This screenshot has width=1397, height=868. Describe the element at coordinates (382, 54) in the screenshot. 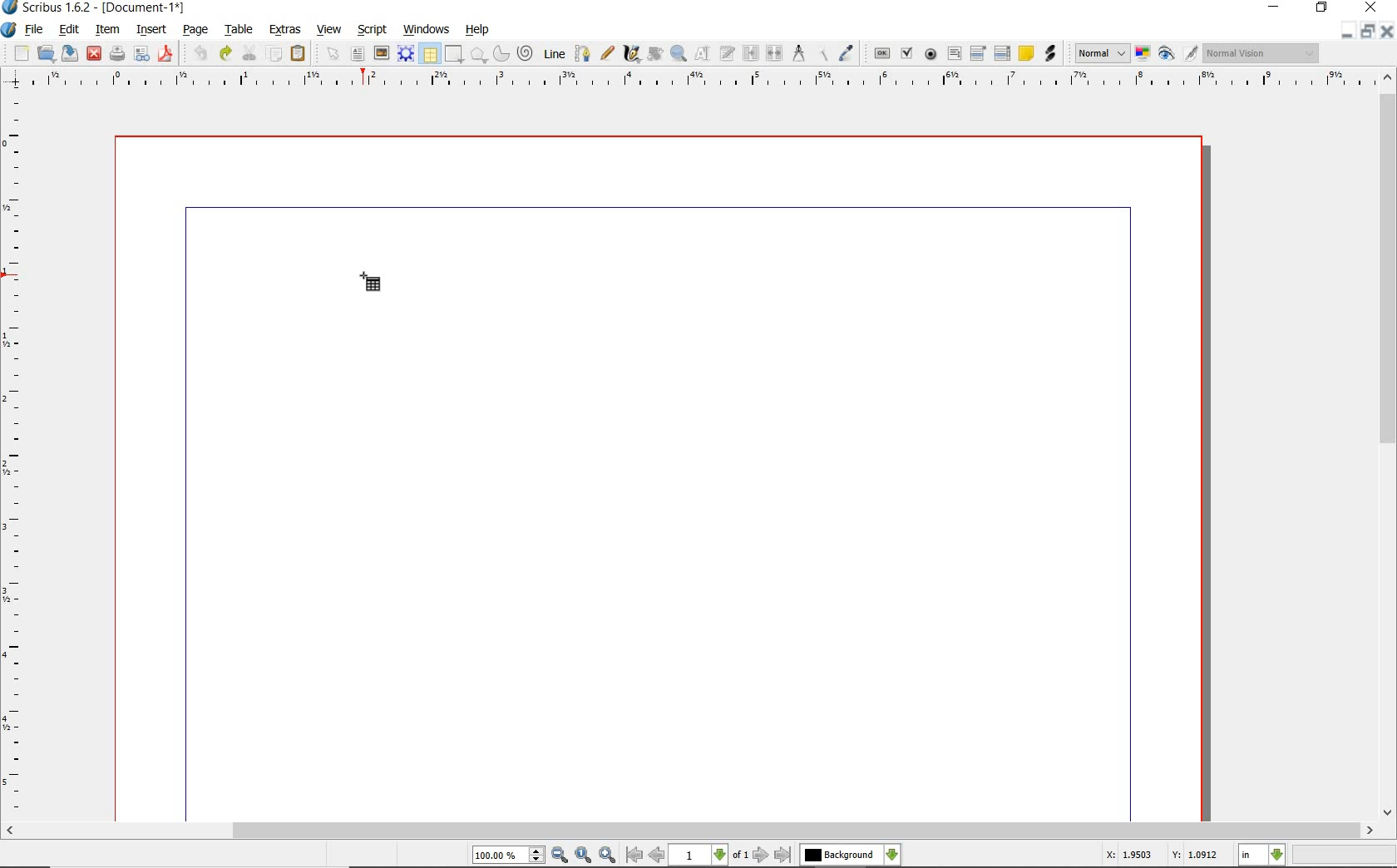

I see `image` at that location.